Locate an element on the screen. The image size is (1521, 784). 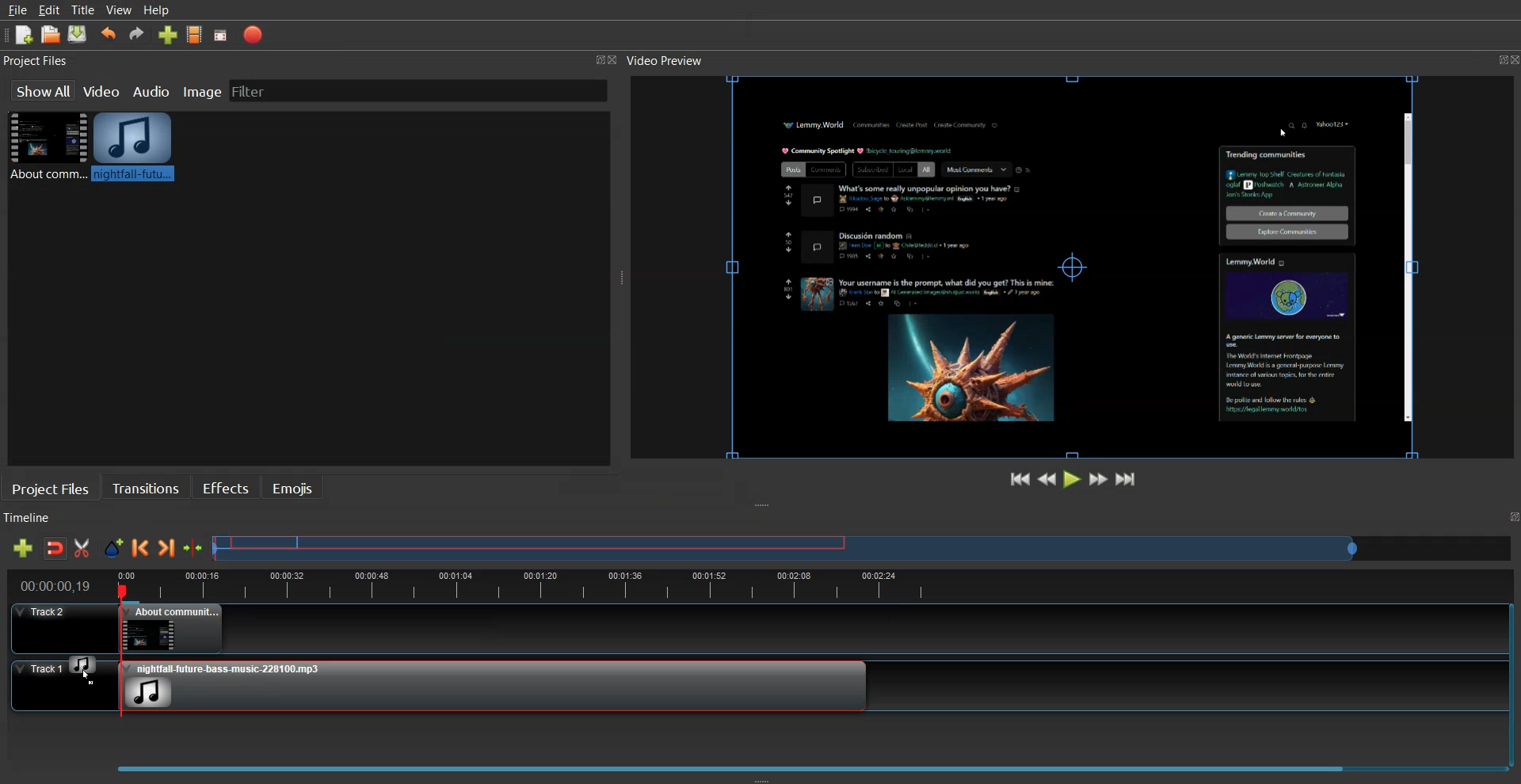
Add track is located at coordinates (22, 548).